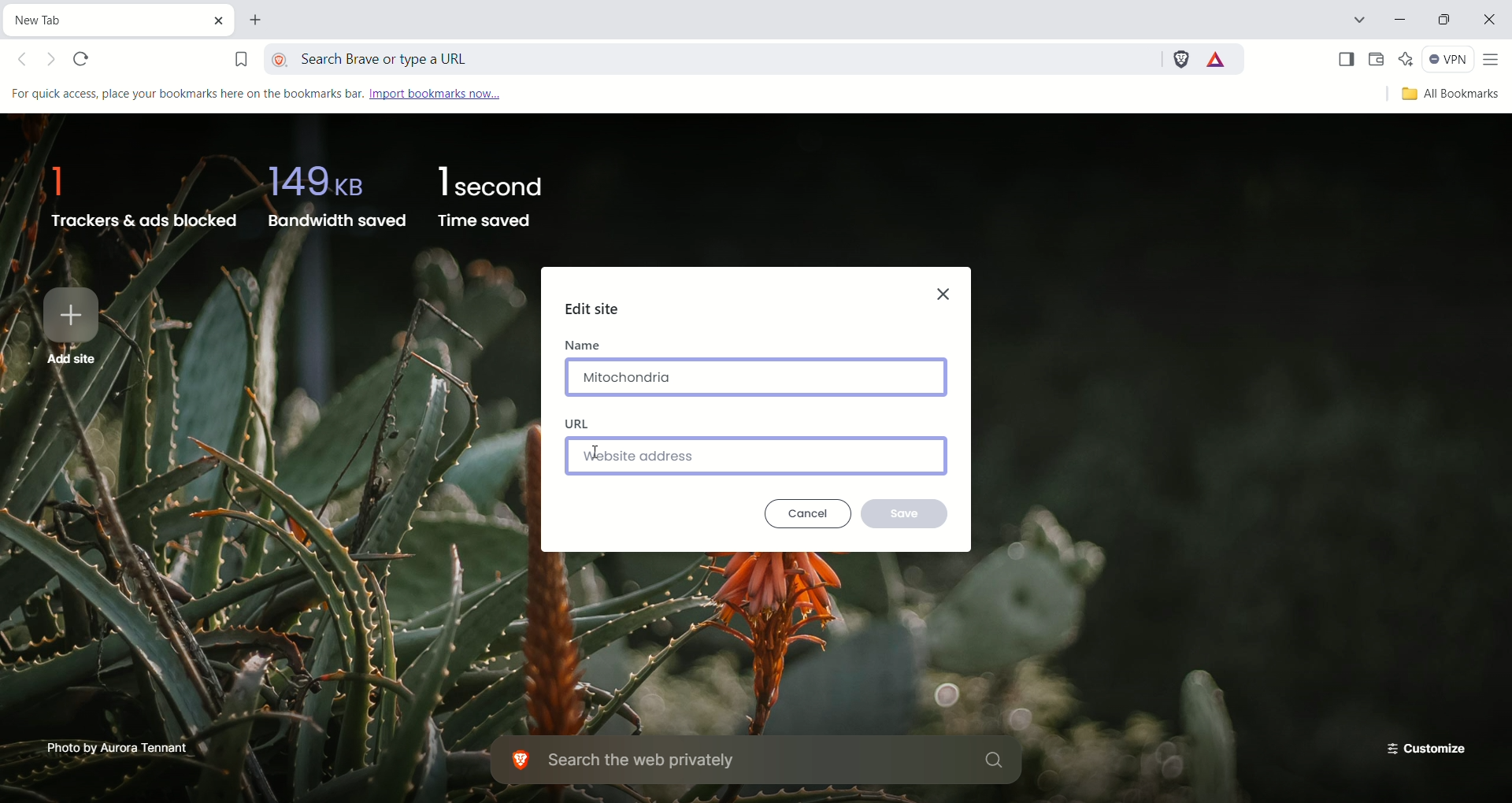 The image size is (1512, 803). I want to click on new tab, so click(258, 22).